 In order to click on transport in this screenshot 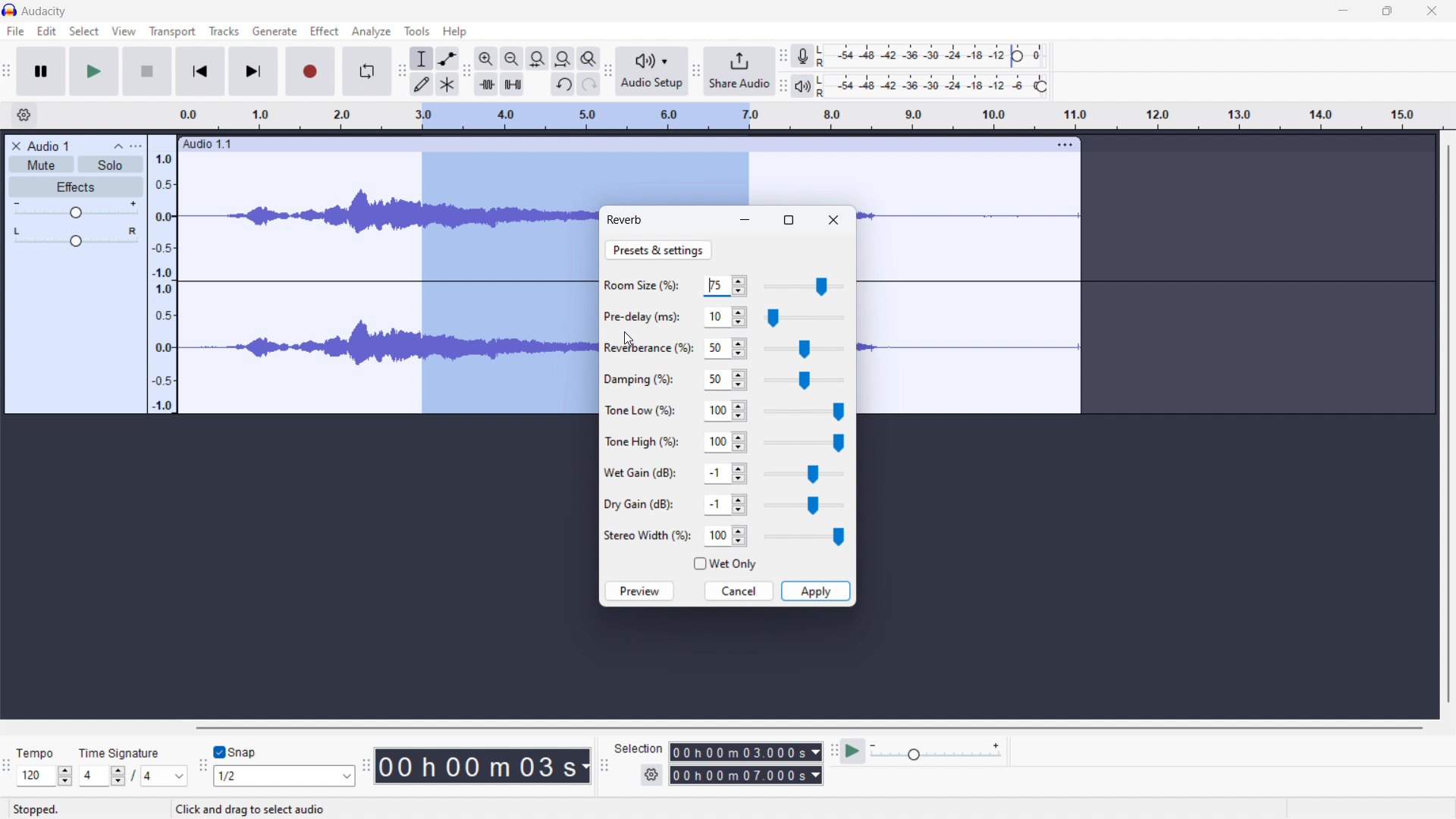, I will do `click(173, 32)`.